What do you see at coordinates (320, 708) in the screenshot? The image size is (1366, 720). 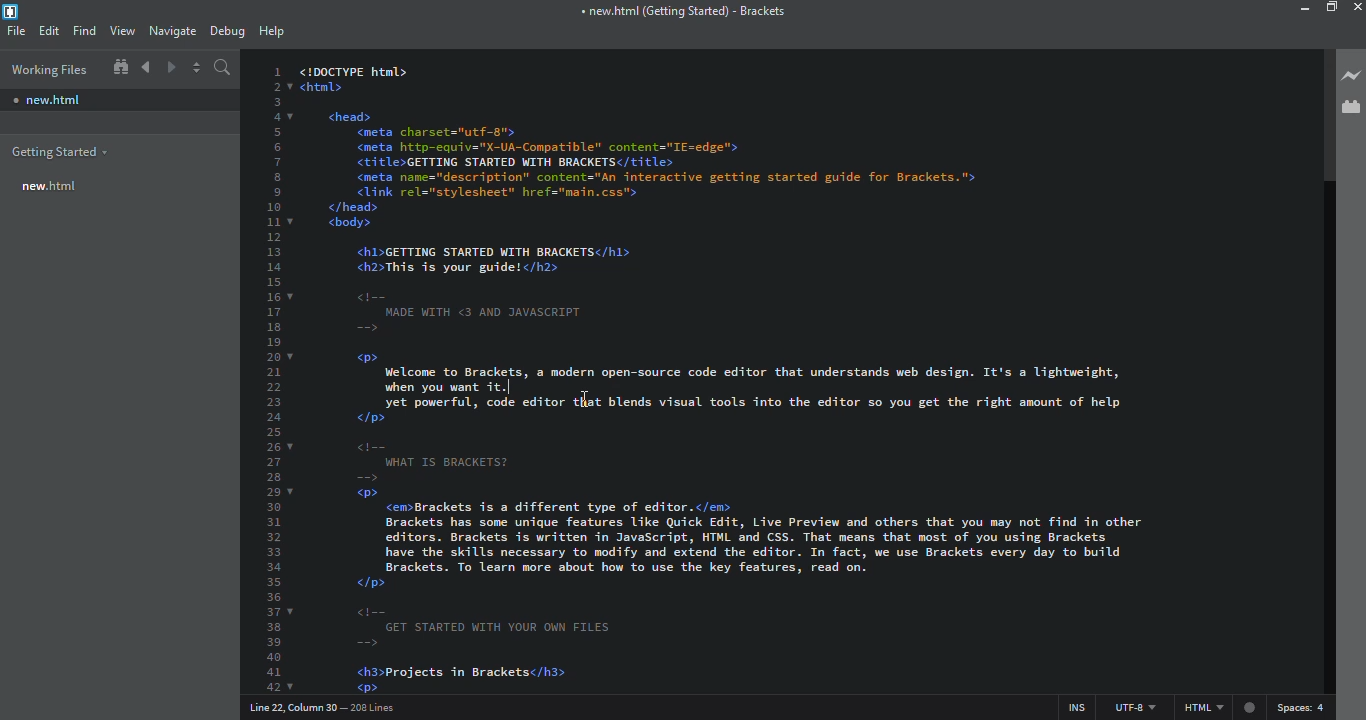 I see `line number` at bounding box center [320, 708].